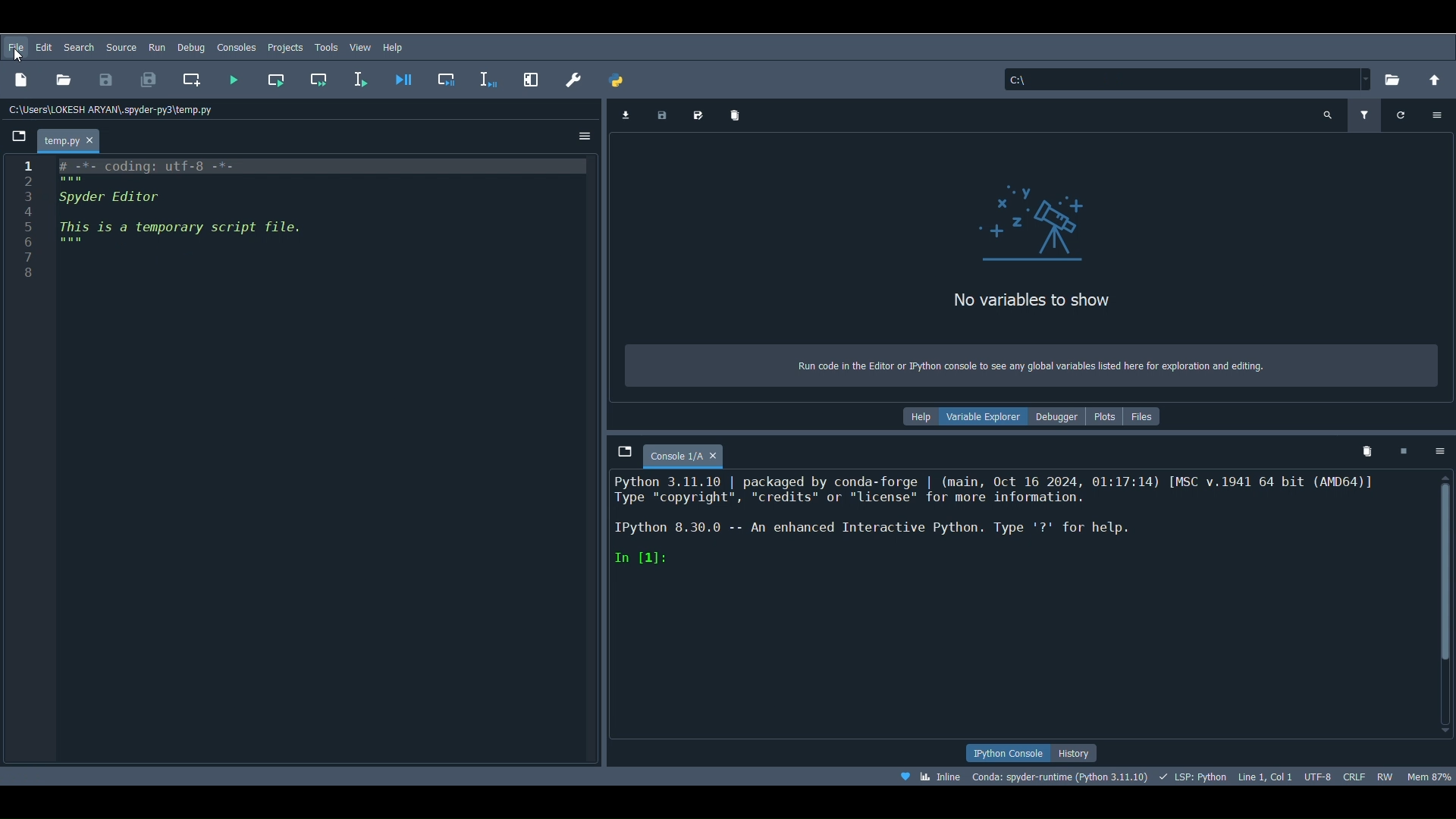  Describe the element at coordinates (156, 48) in the screenshot. I see `Run` at that location.